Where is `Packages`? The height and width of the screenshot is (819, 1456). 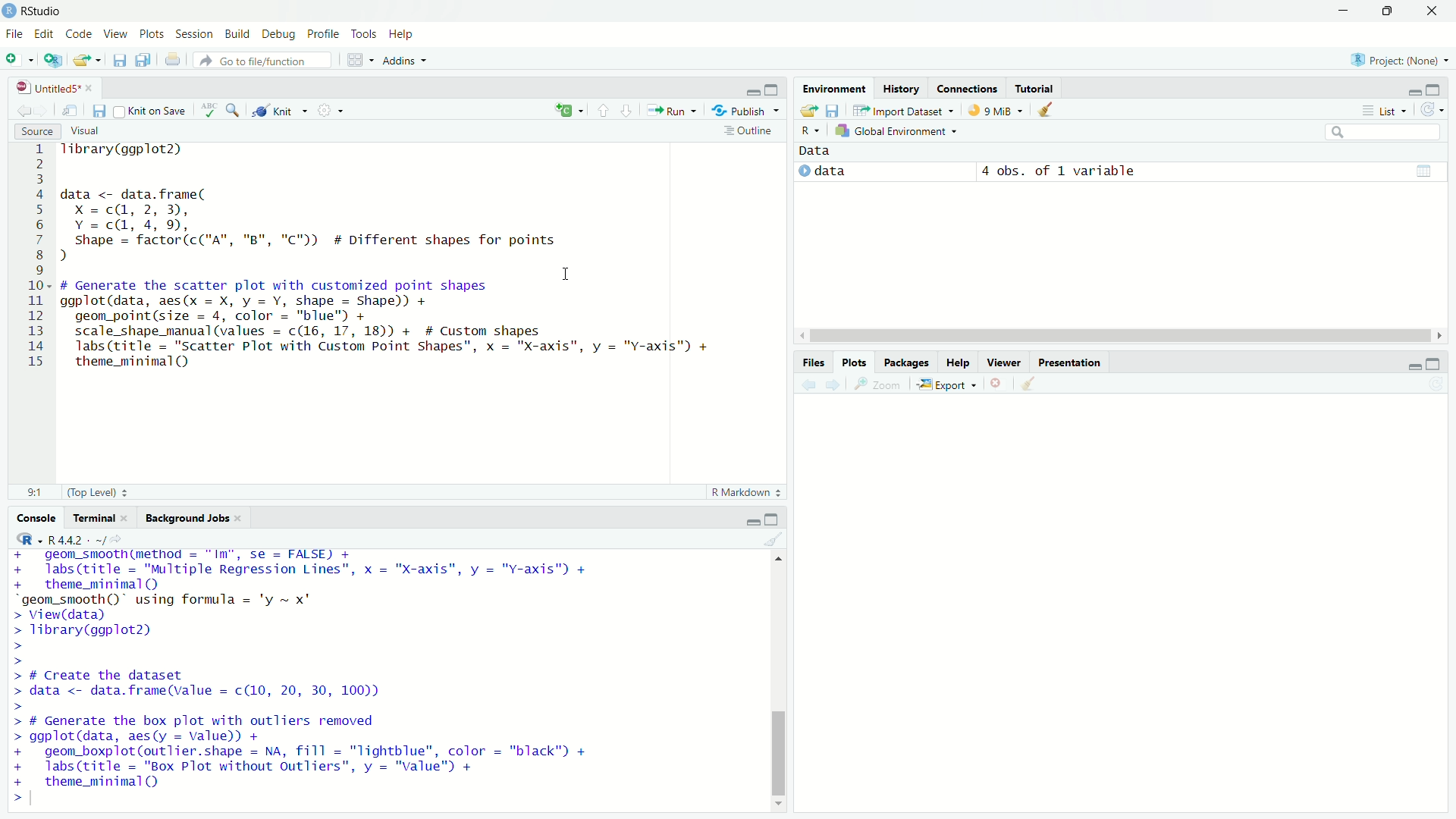
Packages is located at coordinates (906, 362).